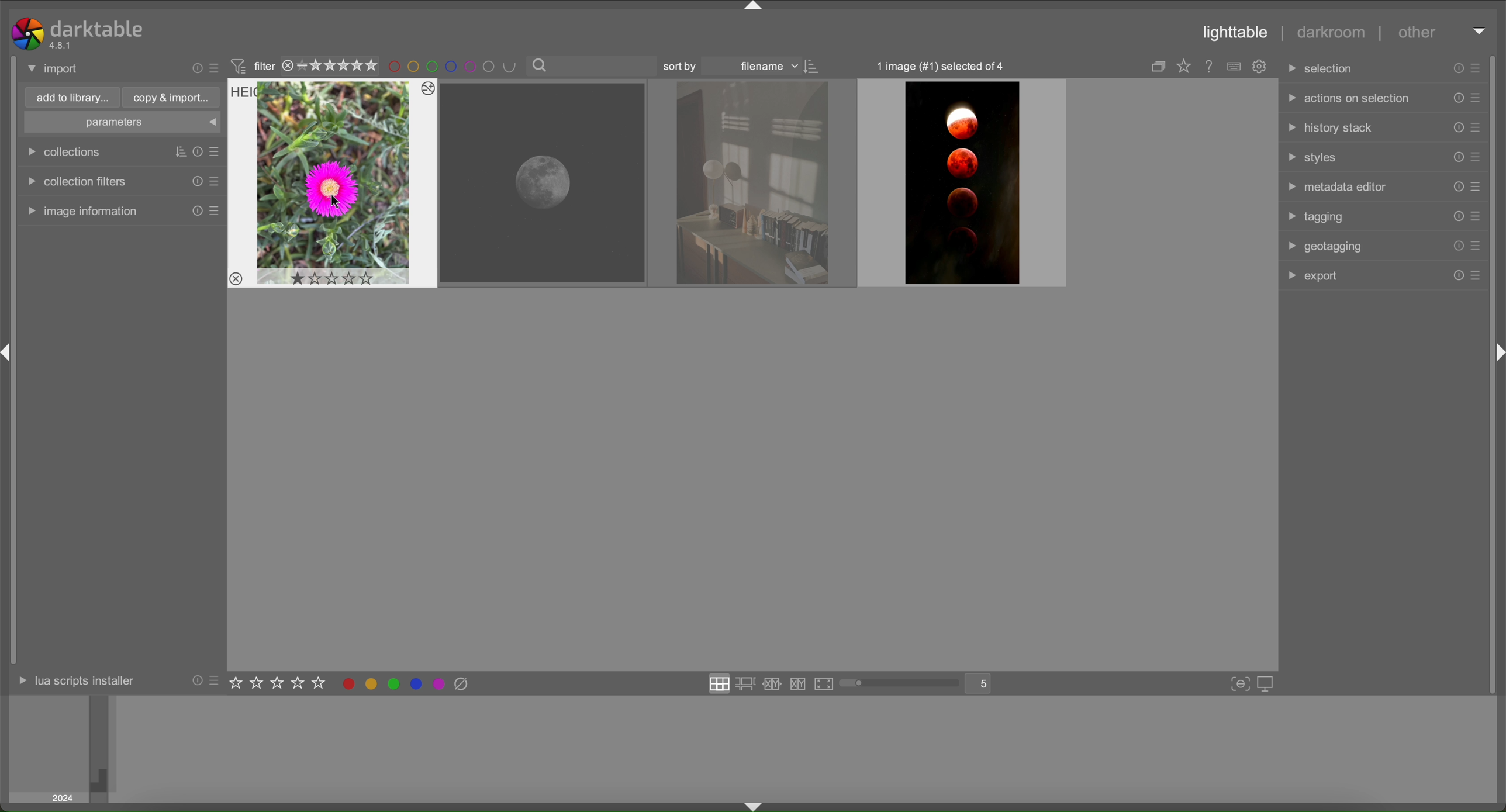  What do you see at coordinates (816, 67) in the screenshot?
I see `icon` at bounding box center [816, 67].